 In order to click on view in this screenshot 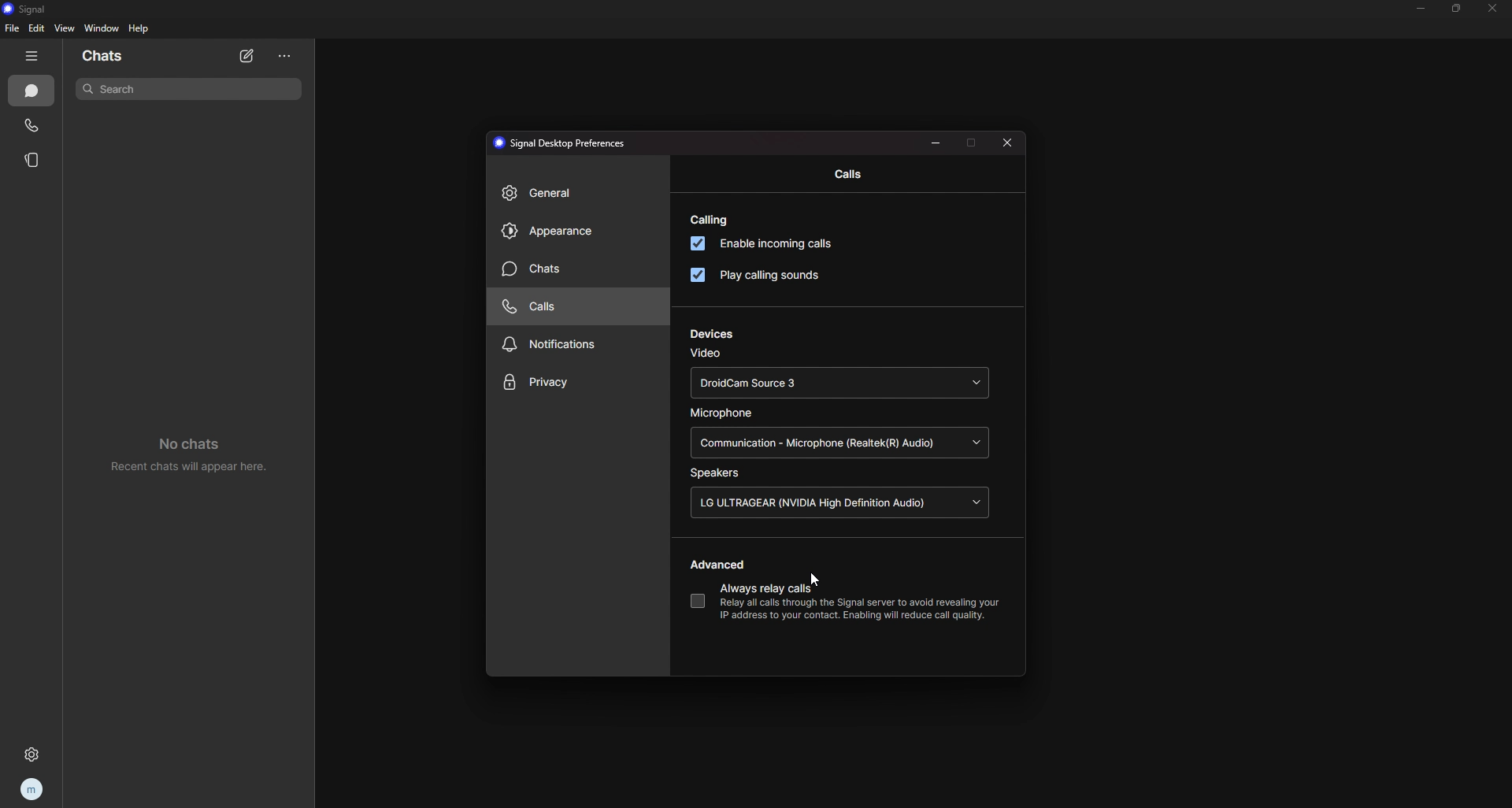, I will do `click(65, 28)`.